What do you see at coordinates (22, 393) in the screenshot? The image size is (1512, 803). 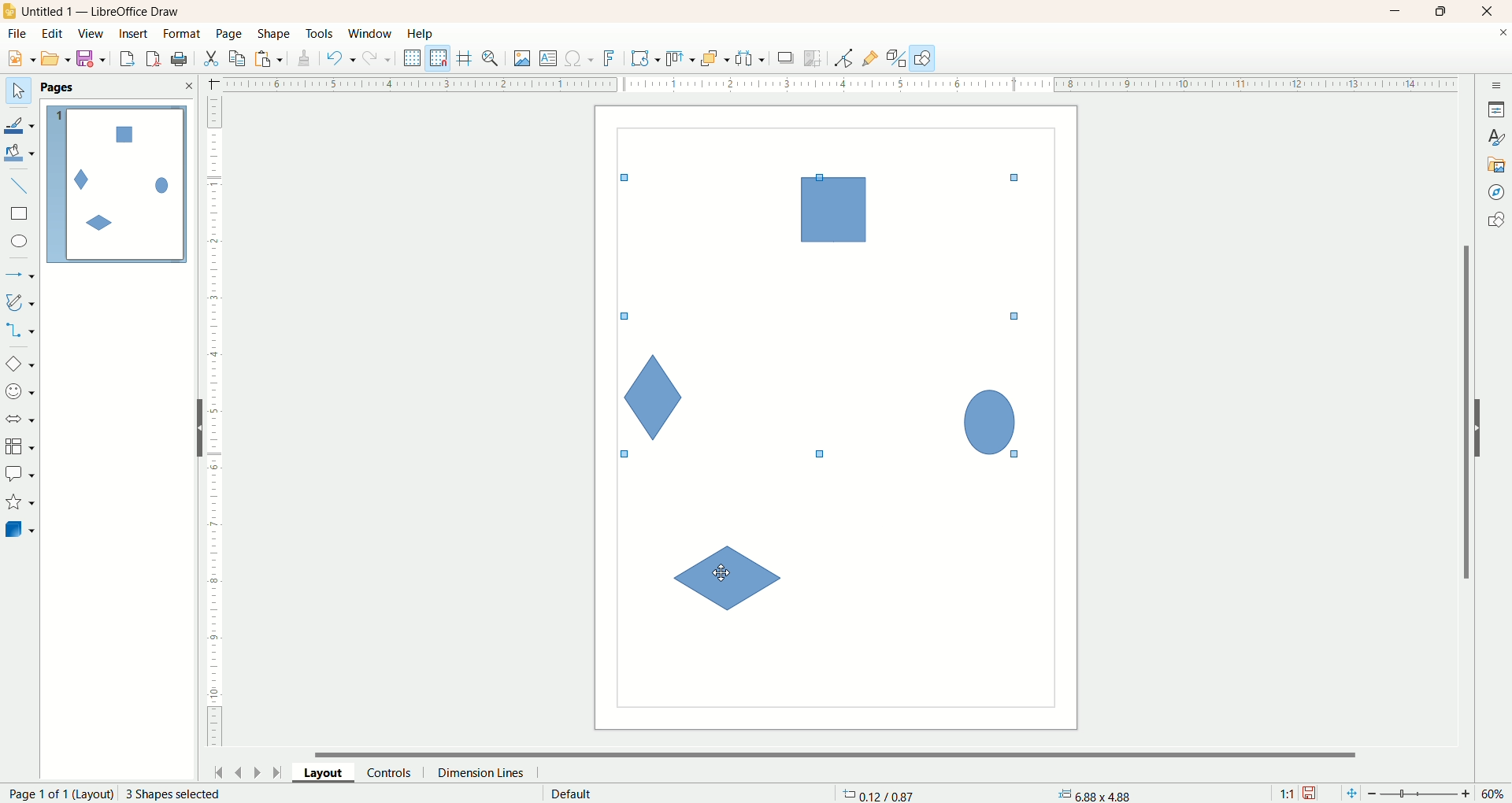 I see `symbol shape` at bounding box center [22, 393].